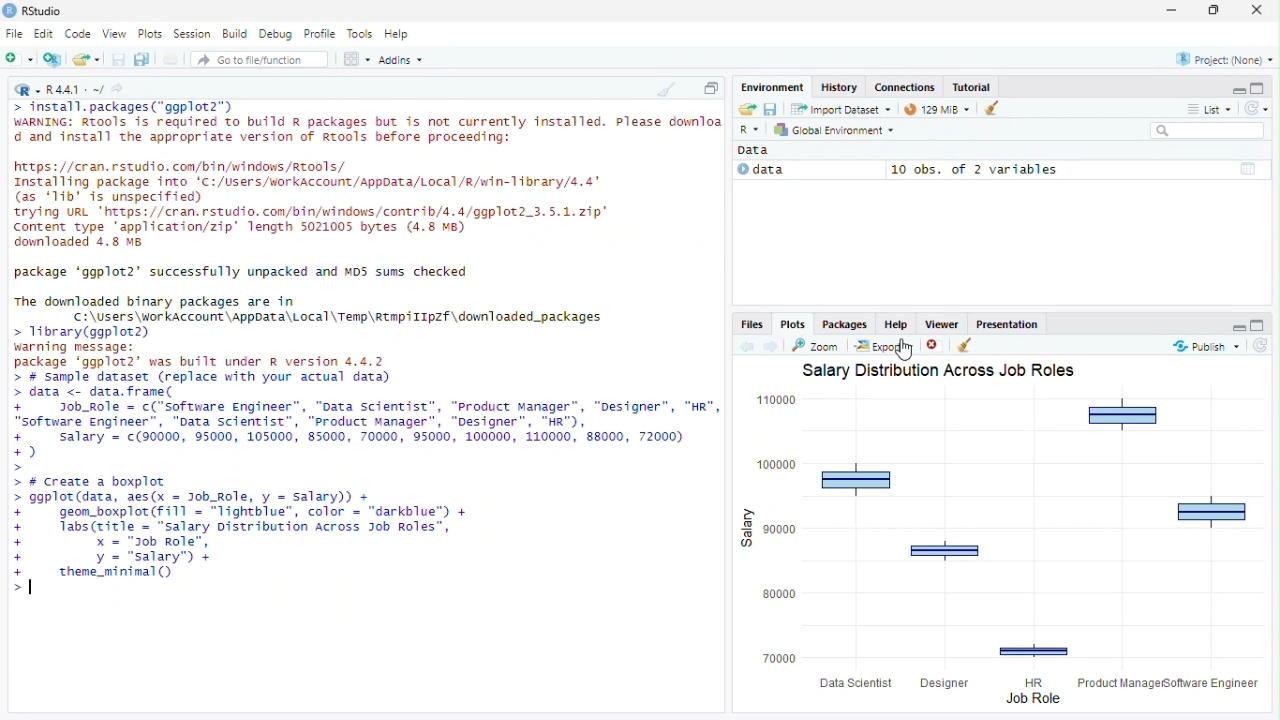  Describe the element at coordinates (753, 324) in the screenshot. I see `Files` at that location.